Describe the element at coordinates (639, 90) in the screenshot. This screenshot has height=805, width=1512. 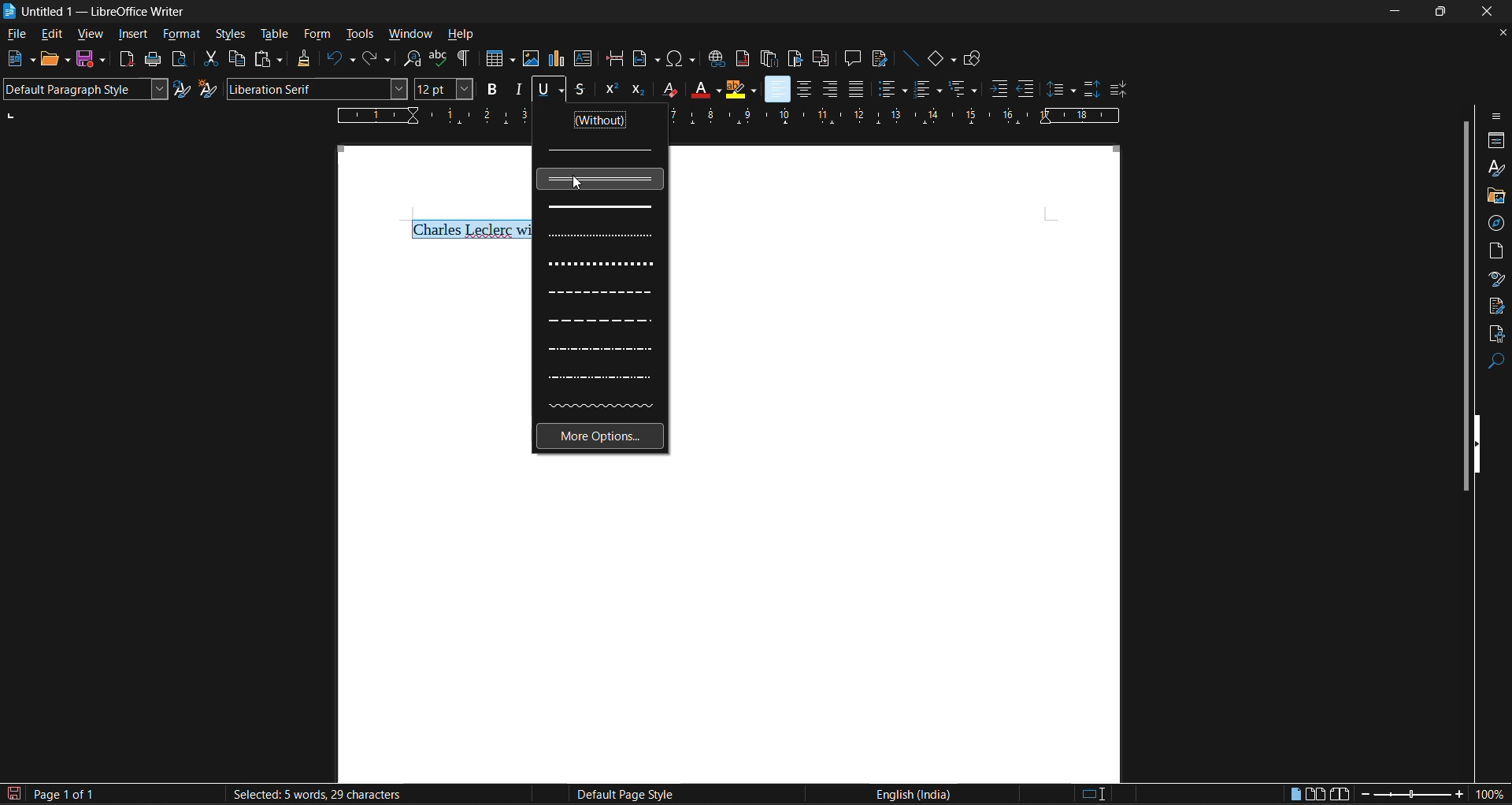
I see `subscript` at that location.